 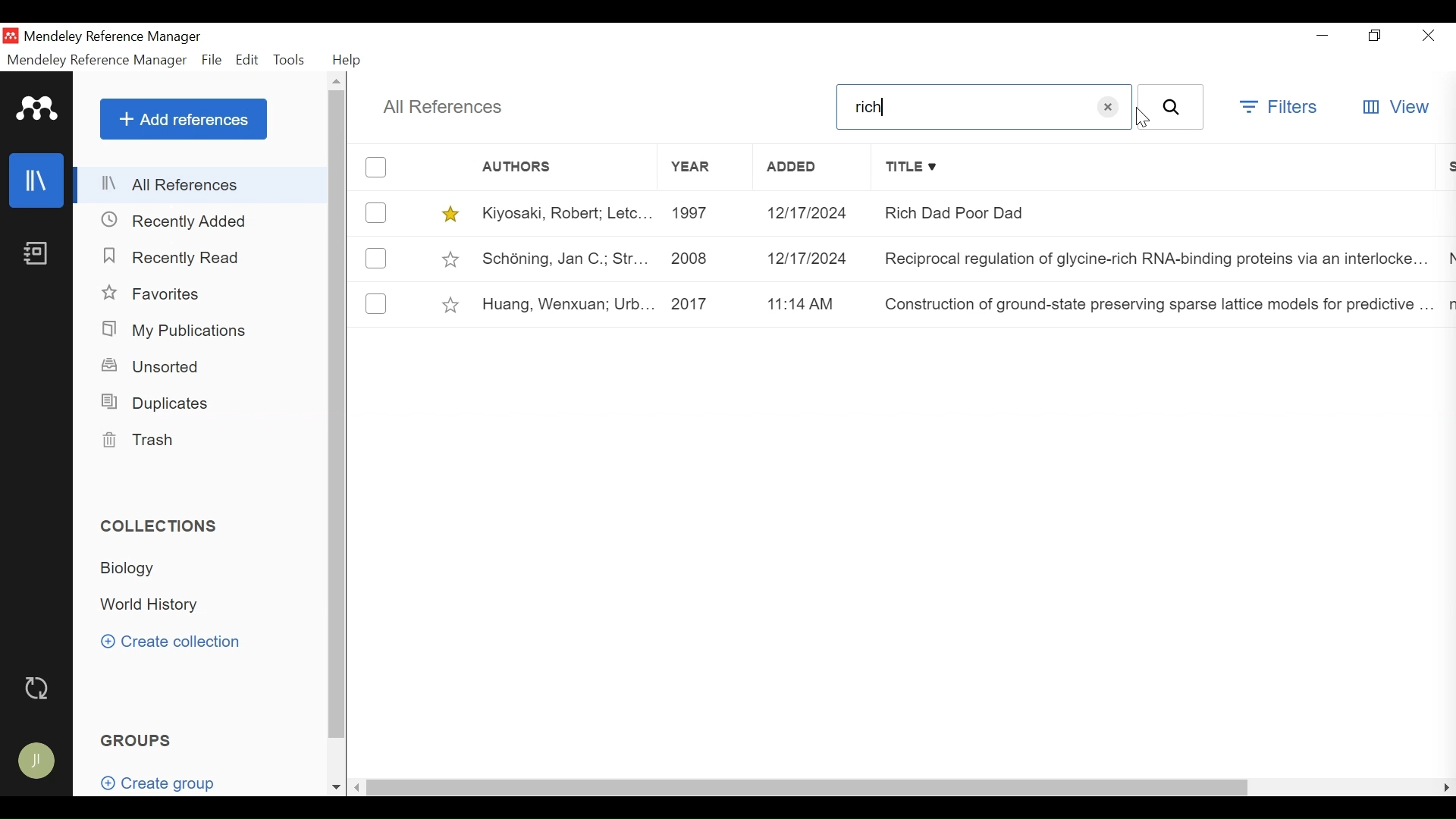 What do you see at coordinates (451, 257) in the screenshot?
I see `Toggle Favorites` at bounding box center [451, 257].